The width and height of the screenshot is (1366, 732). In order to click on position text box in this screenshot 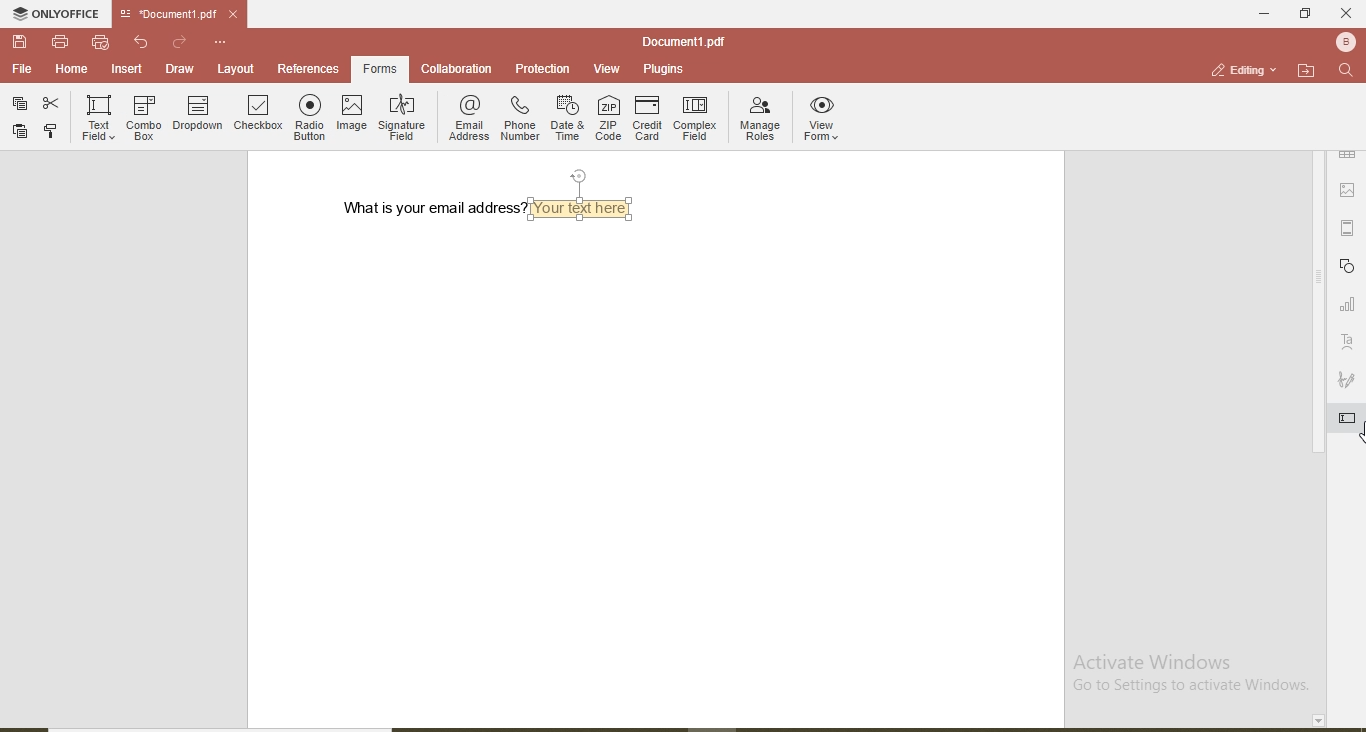, I will do `click(579, 177)`.